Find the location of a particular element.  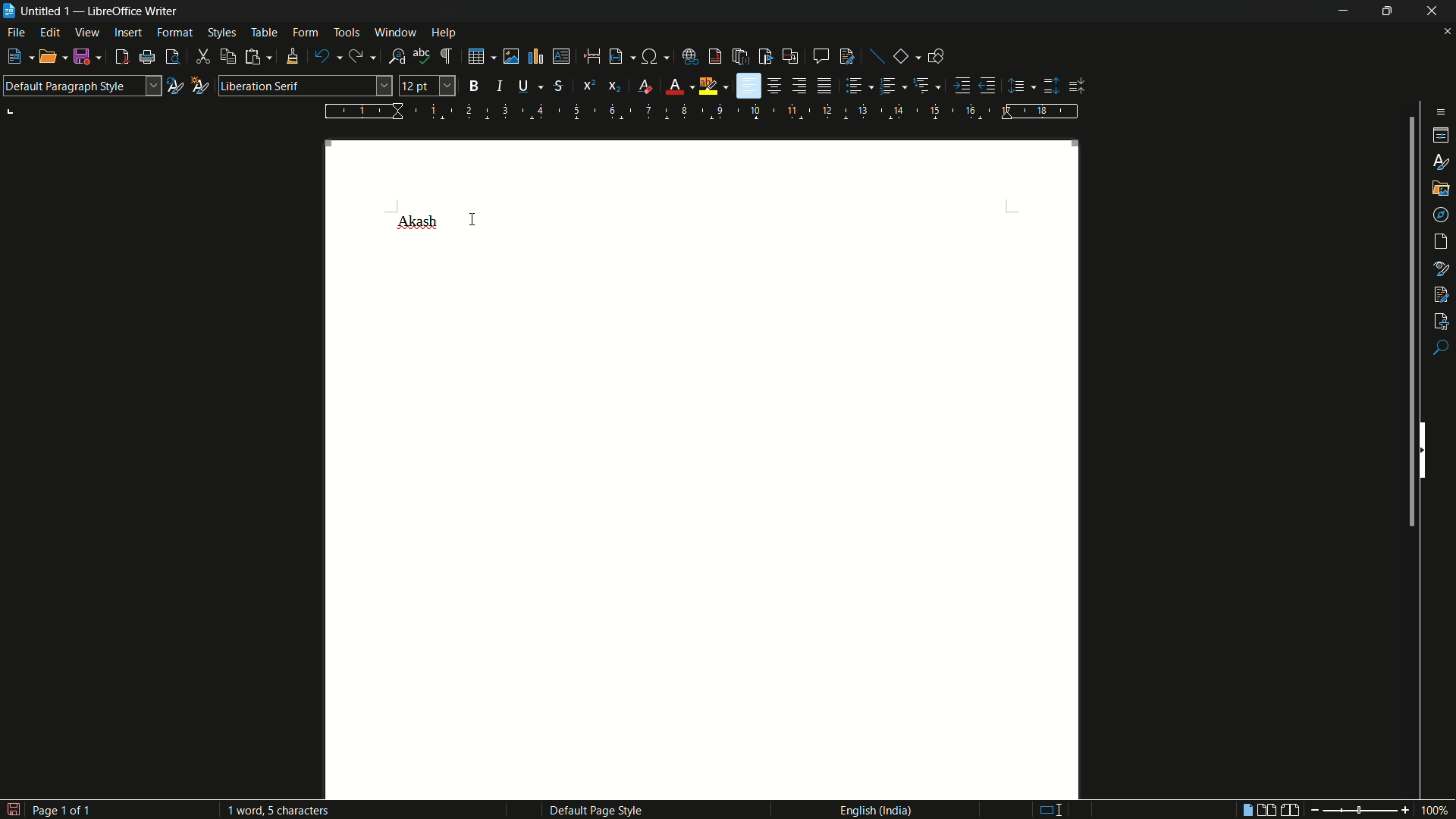

close document is located at coordinates (1447, 32).